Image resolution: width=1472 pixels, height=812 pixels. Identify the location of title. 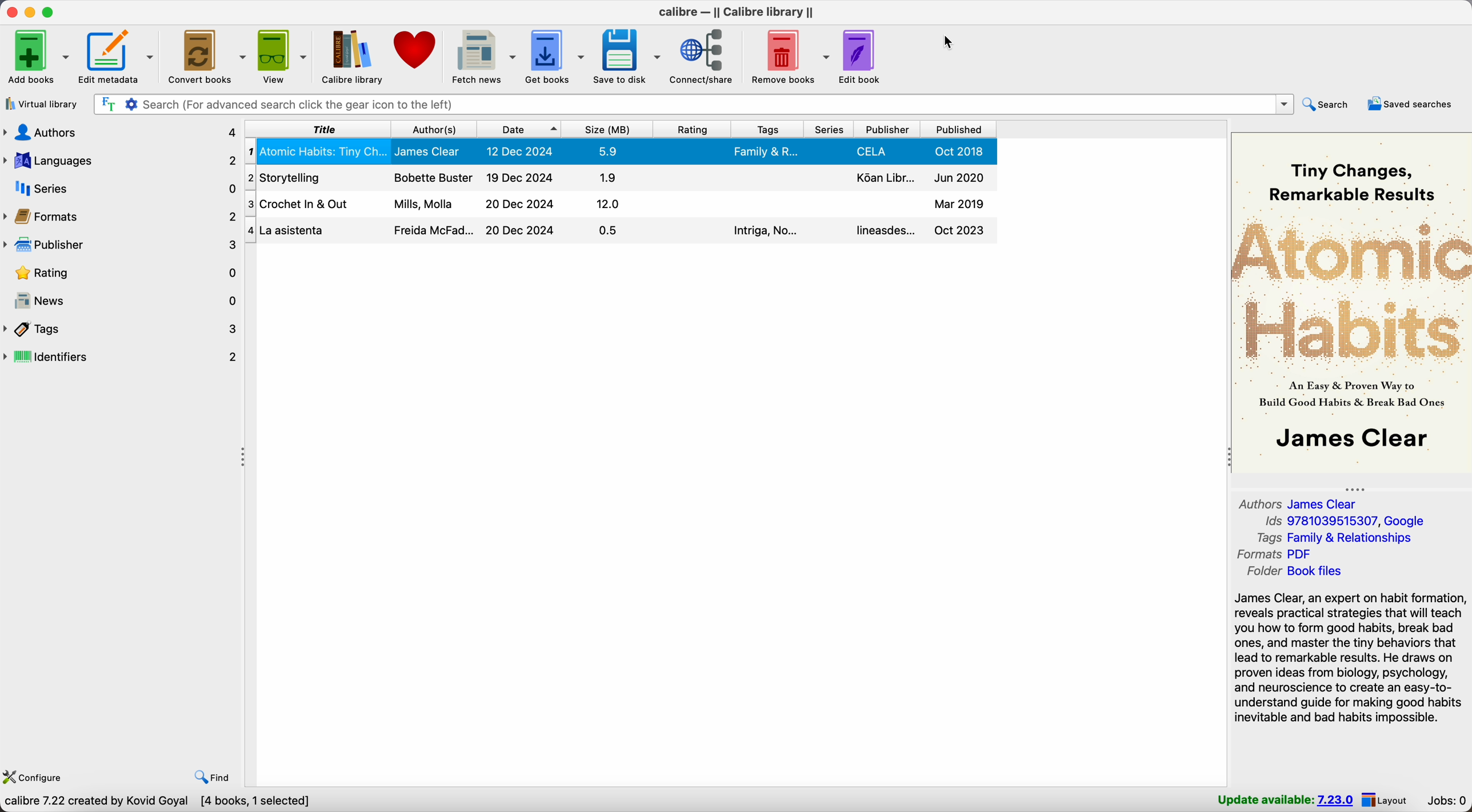
(318, 129).